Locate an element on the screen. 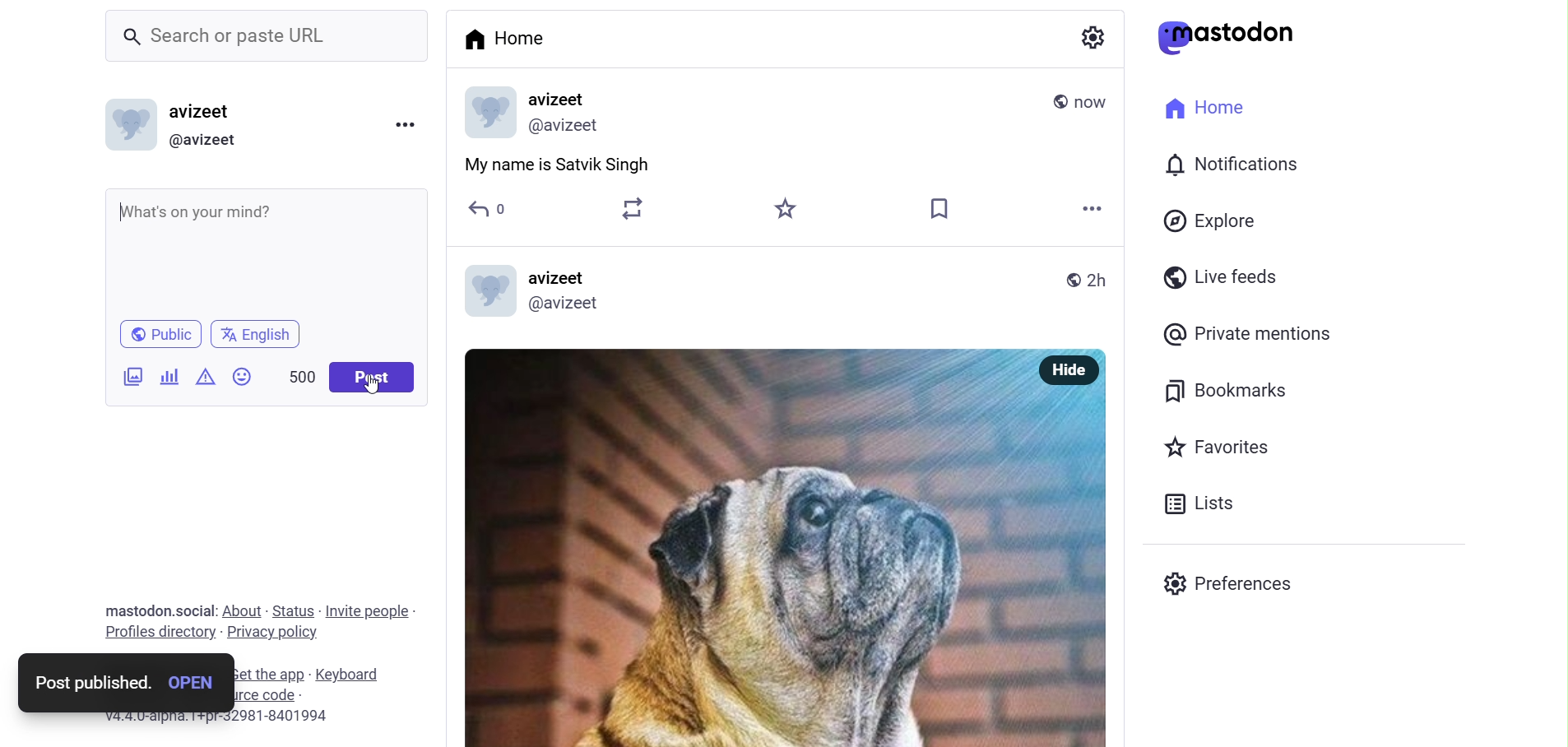 The image size is (1568, 747). post published is located at coordinates (86, 683).